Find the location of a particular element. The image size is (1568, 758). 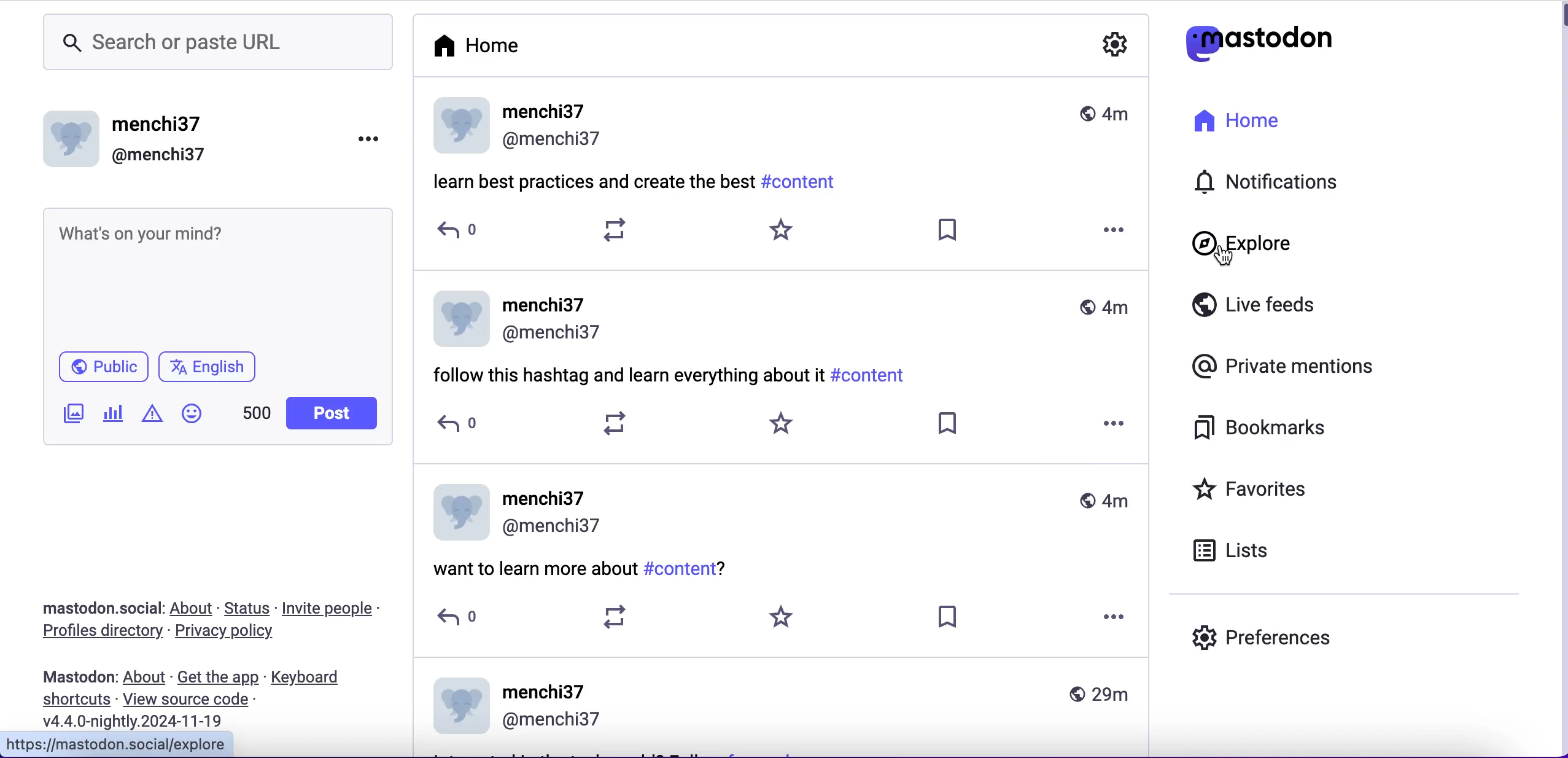

favorites is located at coordinates (1276, 488).